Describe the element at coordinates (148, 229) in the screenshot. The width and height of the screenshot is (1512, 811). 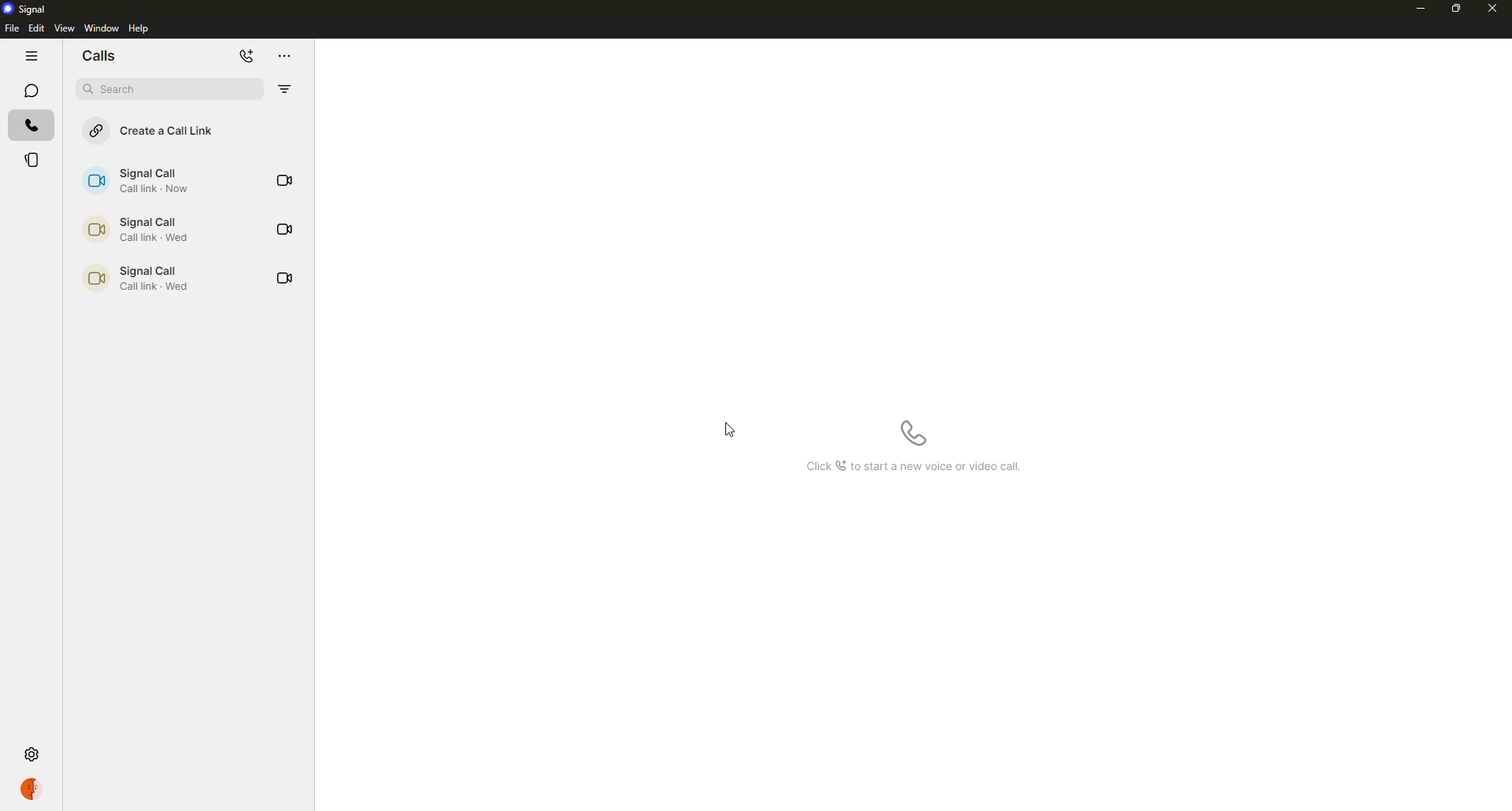
I see `call link` at that location.